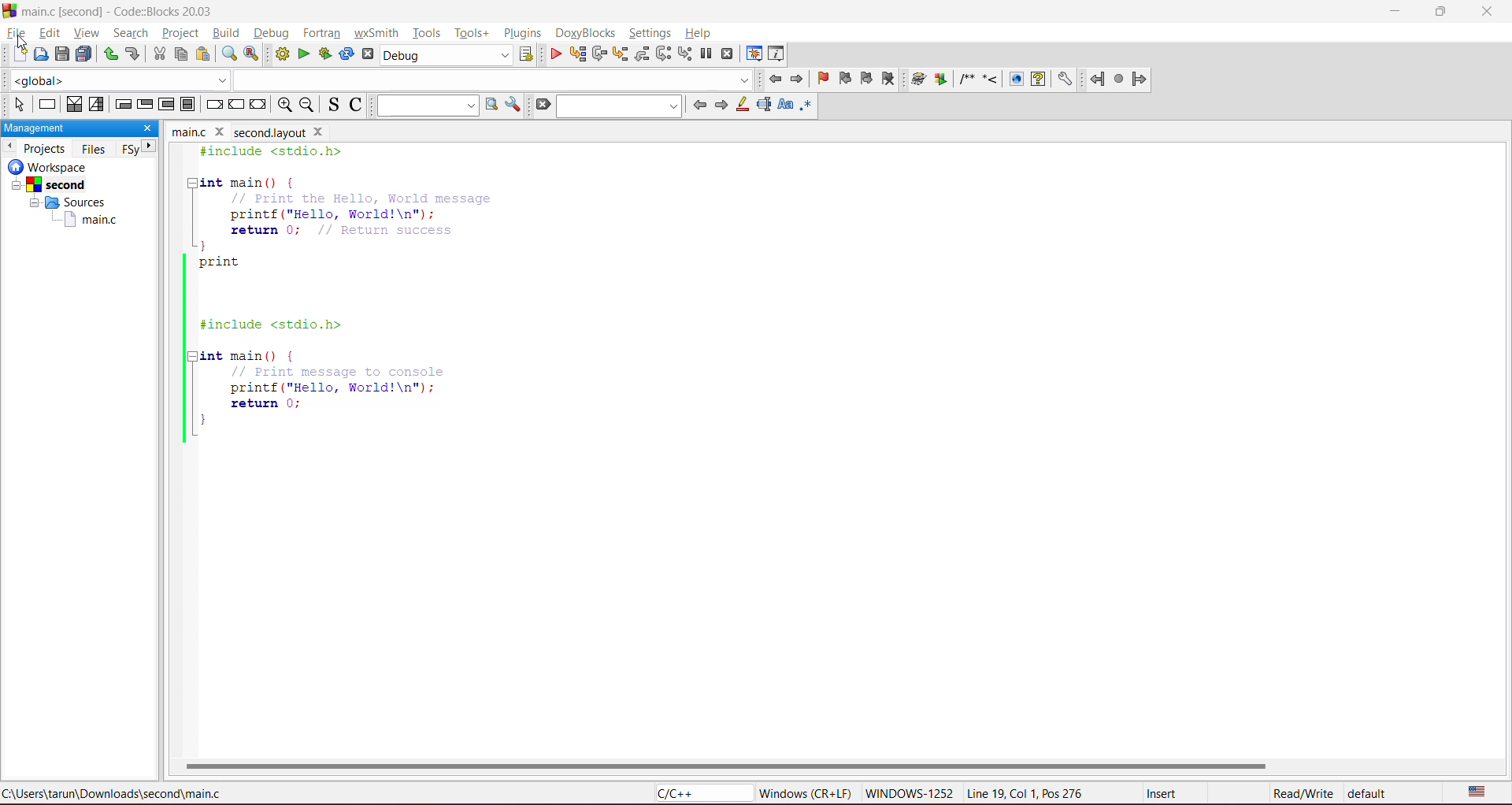 The image size is (1512, 805). Describe the element at coordinates (83, 54) in the screenshot. I see `save everything` at that location.